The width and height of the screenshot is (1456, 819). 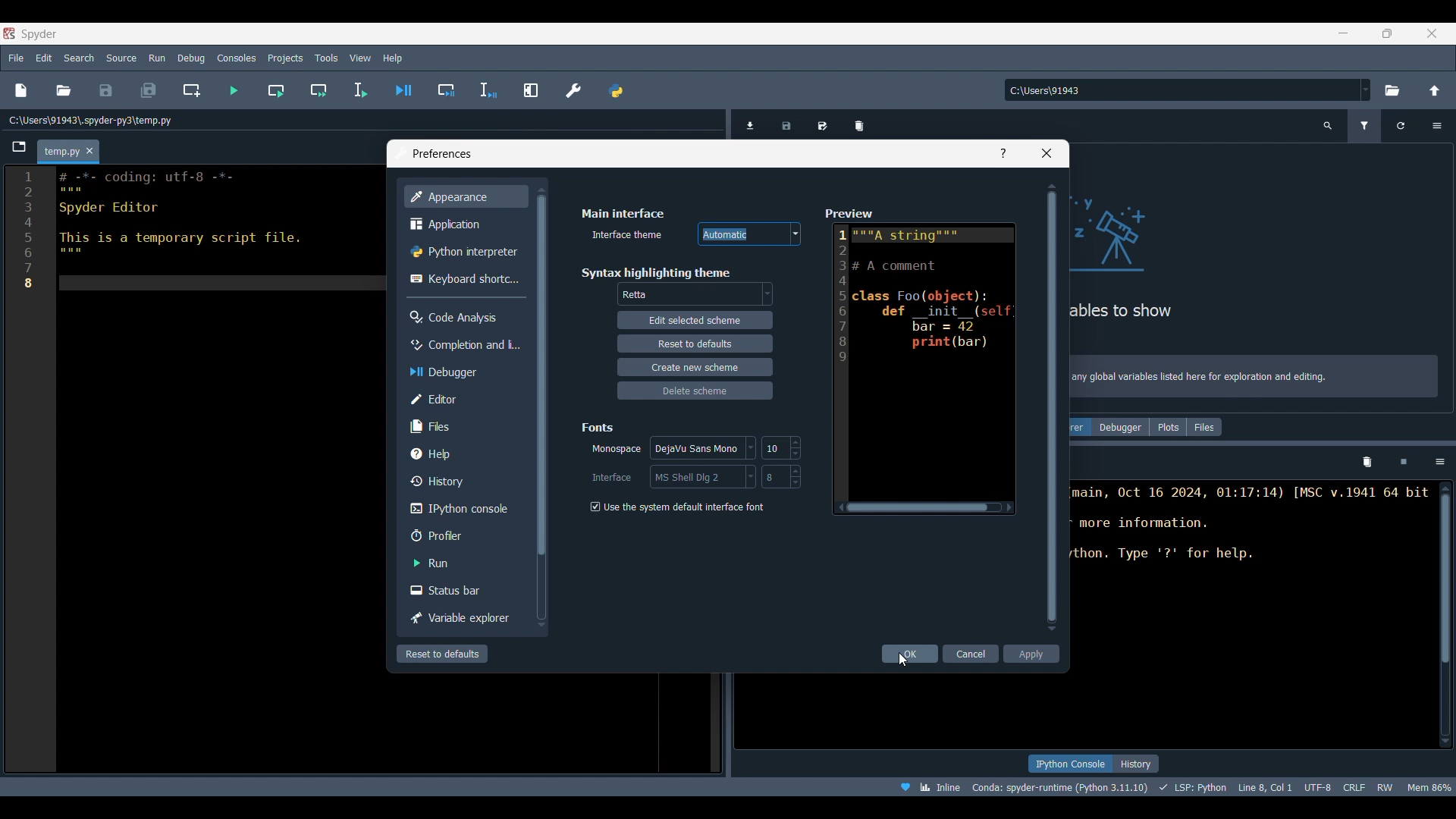 I want to click on Location options, so click(x=1366, y=89).